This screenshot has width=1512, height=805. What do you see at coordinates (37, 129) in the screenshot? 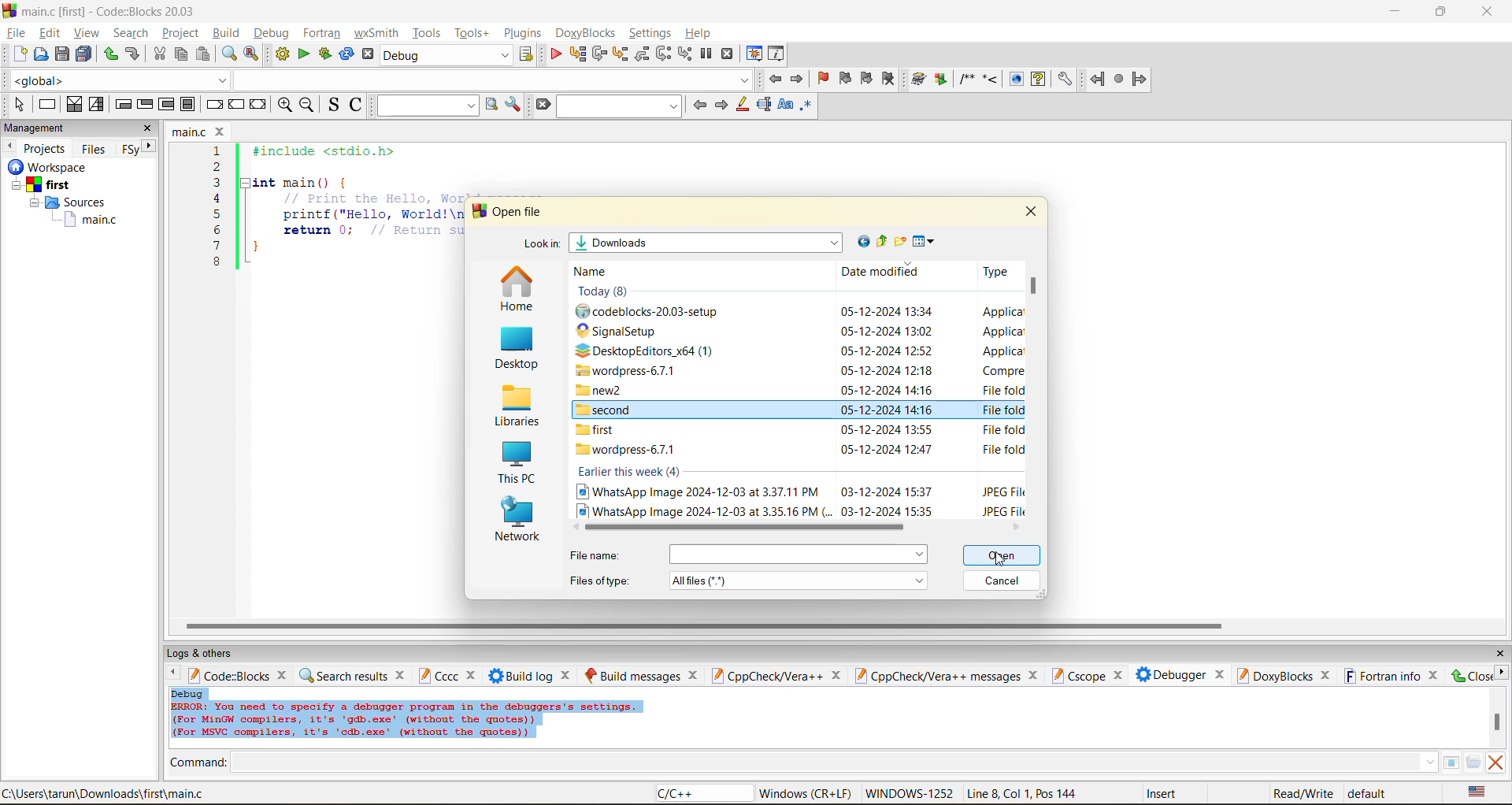
I see `management` at bounding box center [37, 129].